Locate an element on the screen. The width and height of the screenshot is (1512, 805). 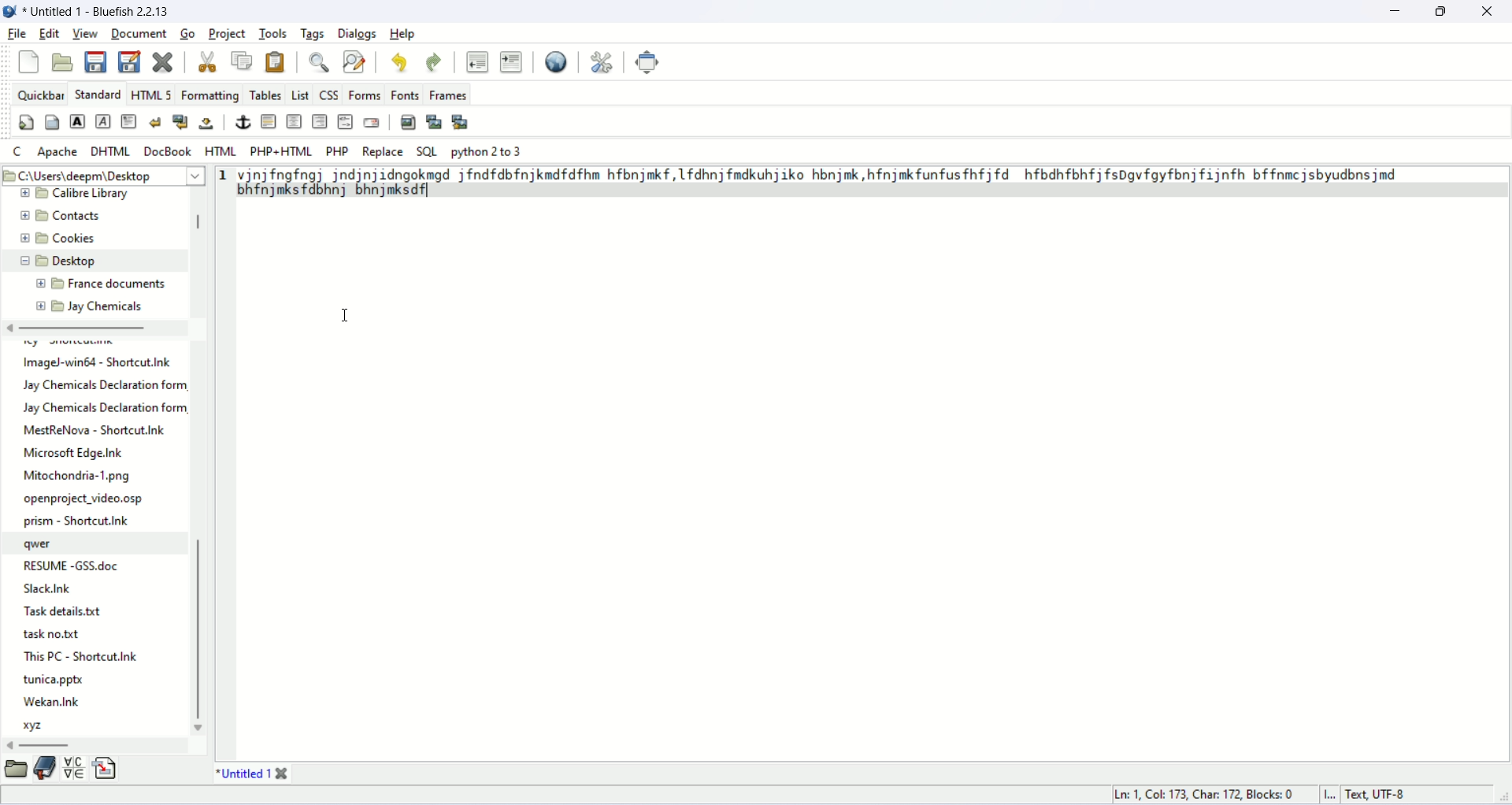
MestReNova - Shortcut.Ink: is located at coordinates (95, 430).